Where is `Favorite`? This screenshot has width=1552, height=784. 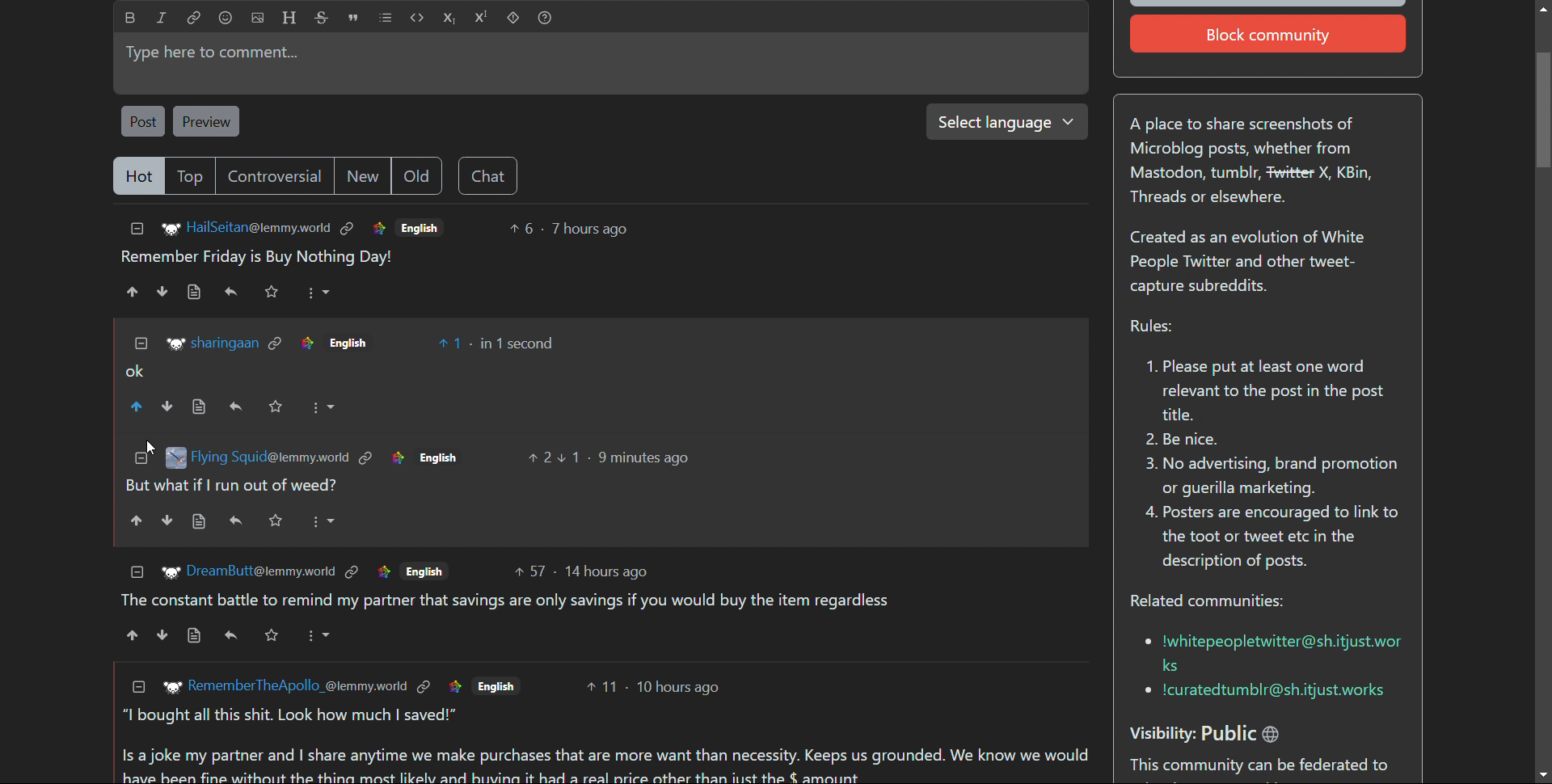 Favorite is located at coordinates (278, 521).